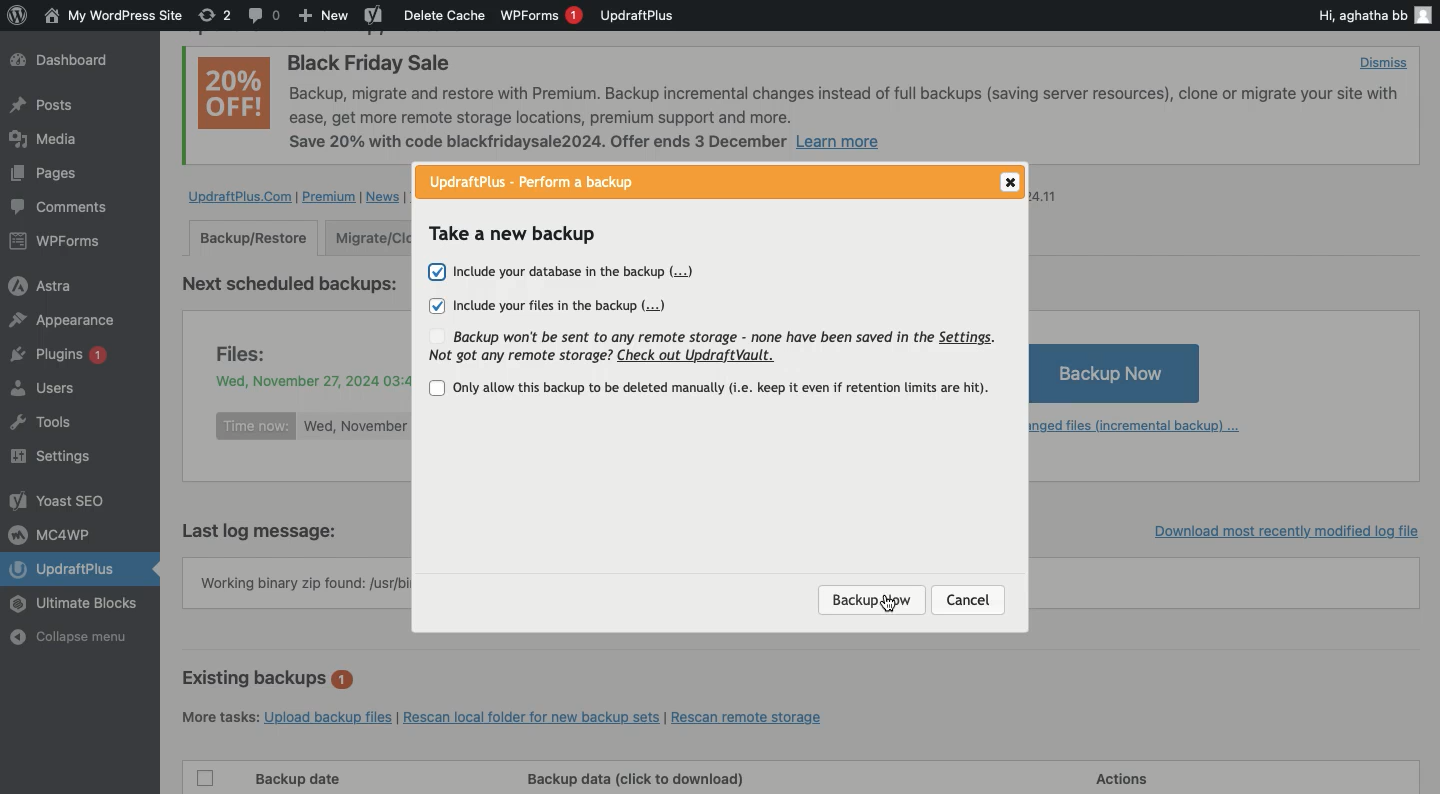 Image resolution: width=1440 pixels, height=794 pixels. I want to click on Take a new backup, so click(515, 236).